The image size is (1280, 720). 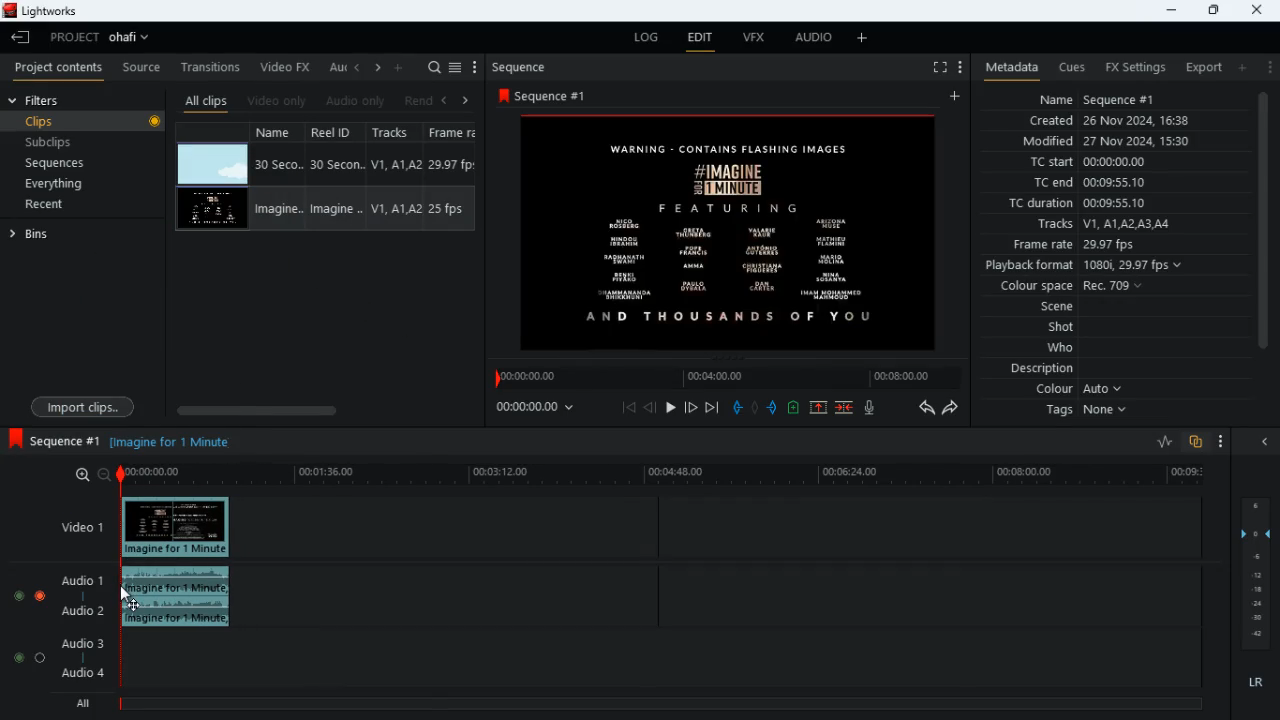 I want to click on video fx, so click(x=286, y=68).